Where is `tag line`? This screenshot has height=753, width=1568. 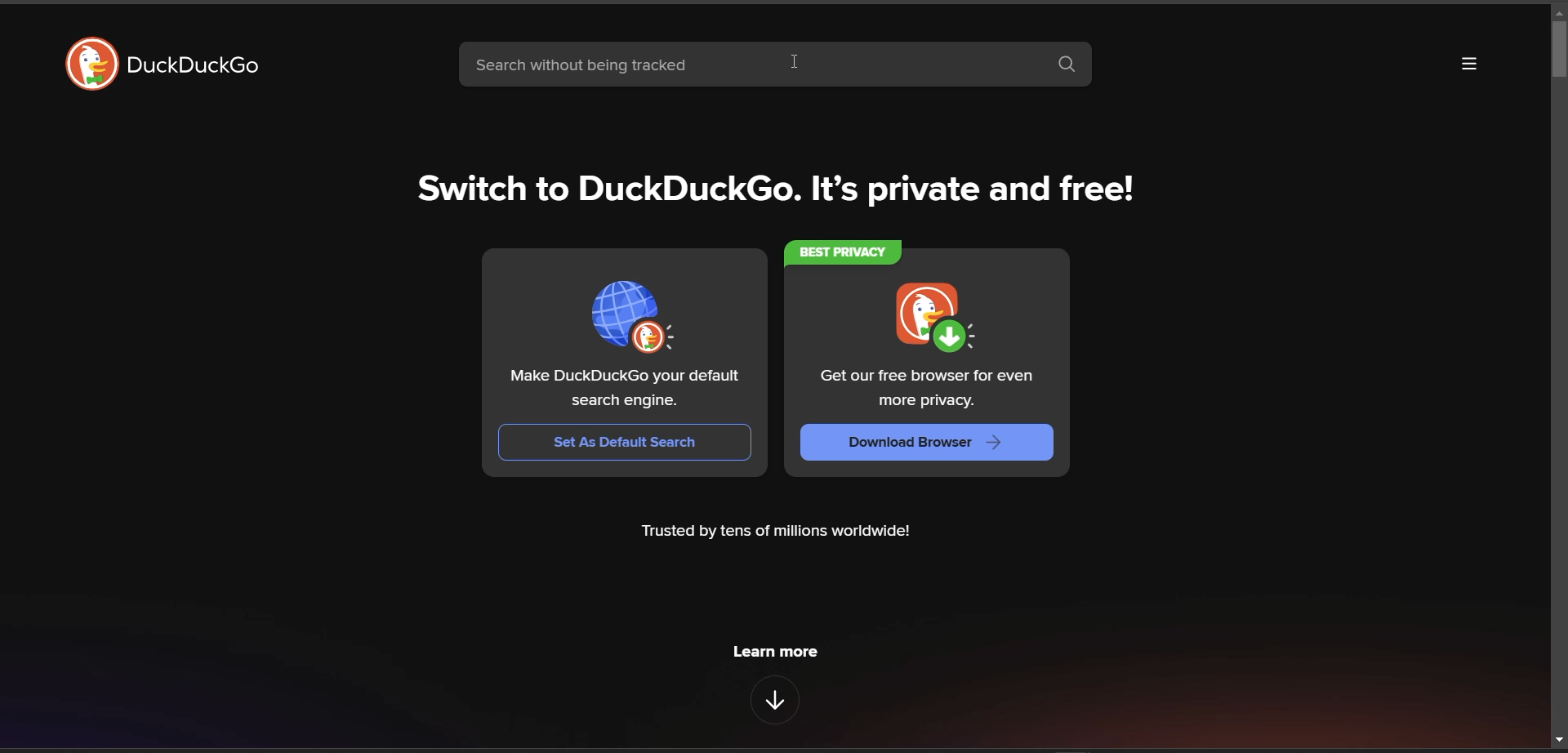
tag line is located at coordinates (780, 194).